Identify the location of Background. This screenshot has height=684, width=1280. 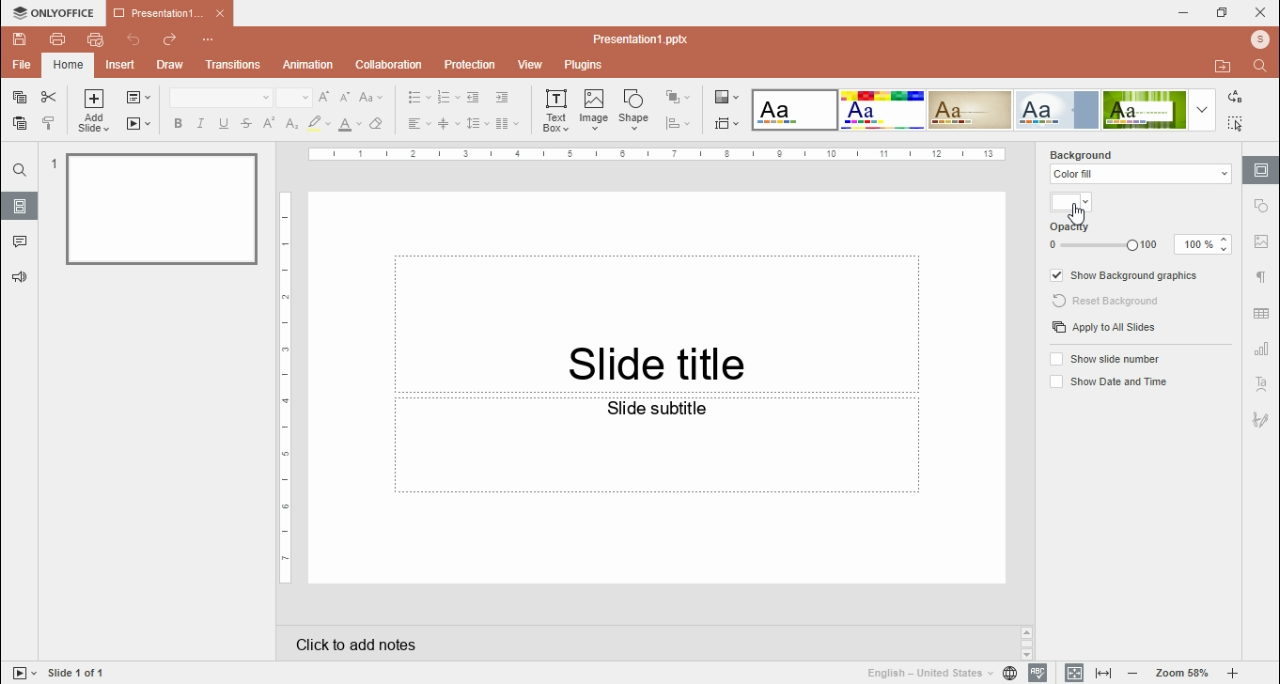
(1100, 153).